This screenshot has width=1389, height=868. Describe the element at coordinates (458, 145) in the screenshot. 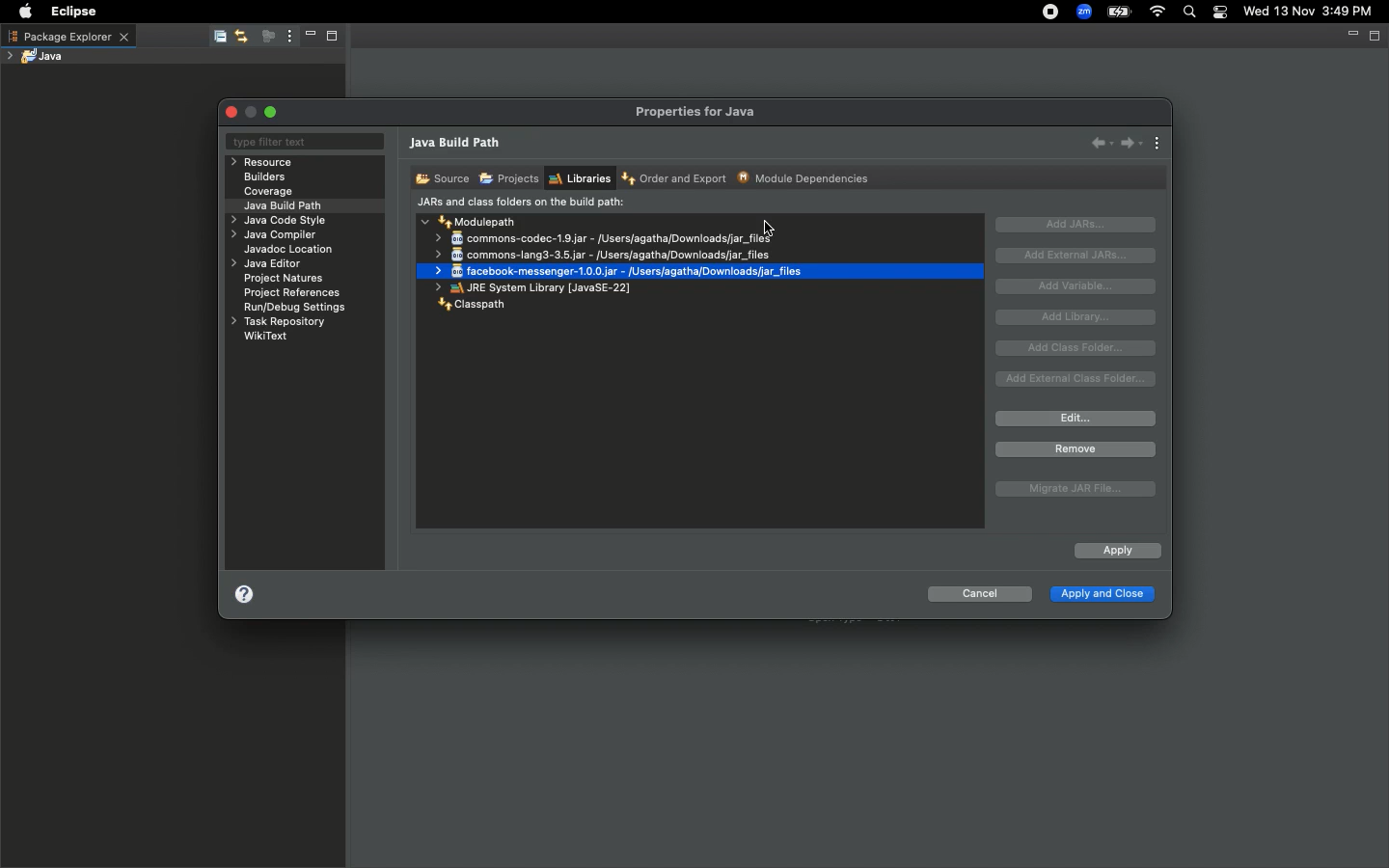

I see `Java build path` at that location.